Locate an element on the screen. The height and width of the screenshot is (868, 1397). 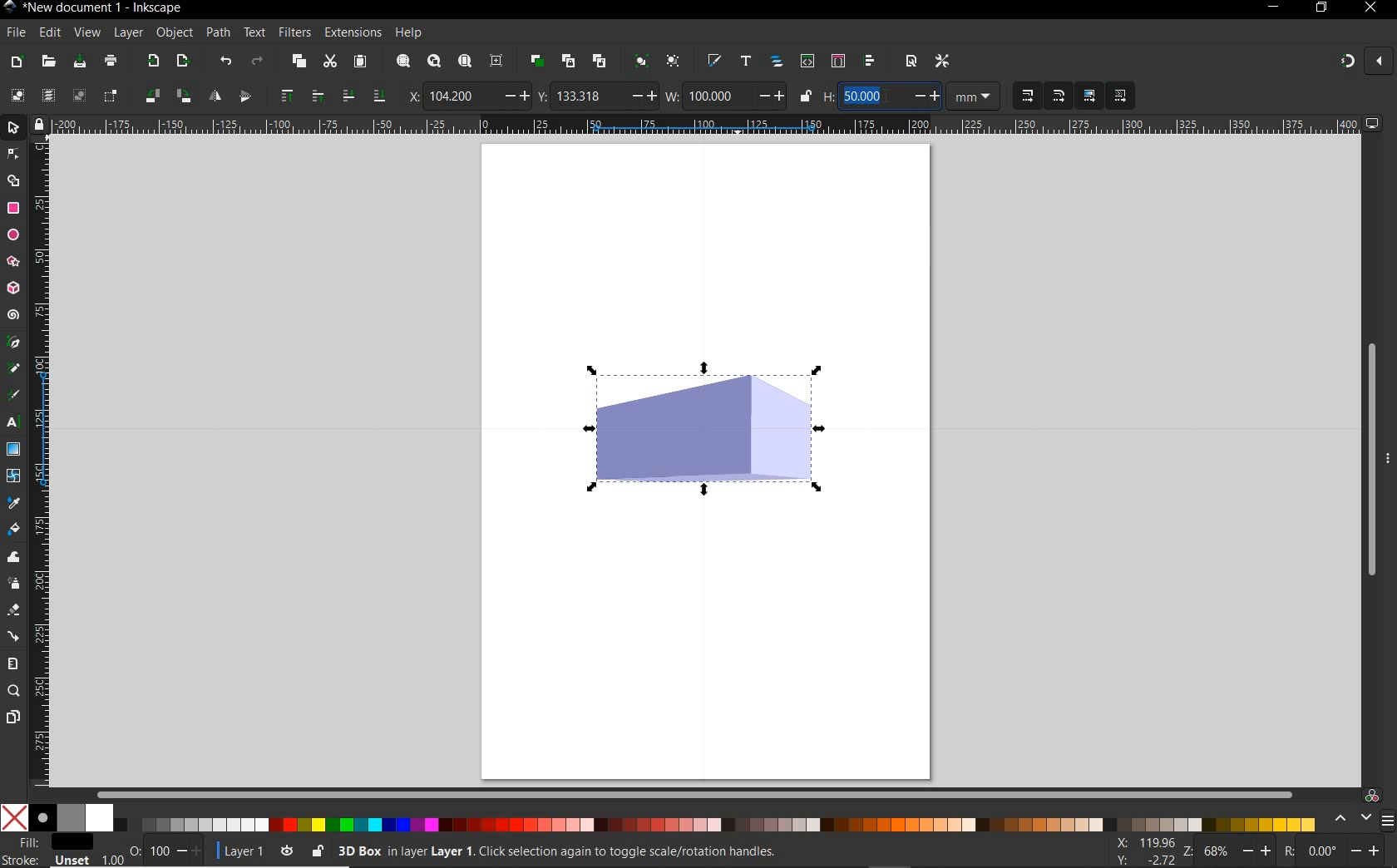
restore down is located at coordinates (1321, 8).